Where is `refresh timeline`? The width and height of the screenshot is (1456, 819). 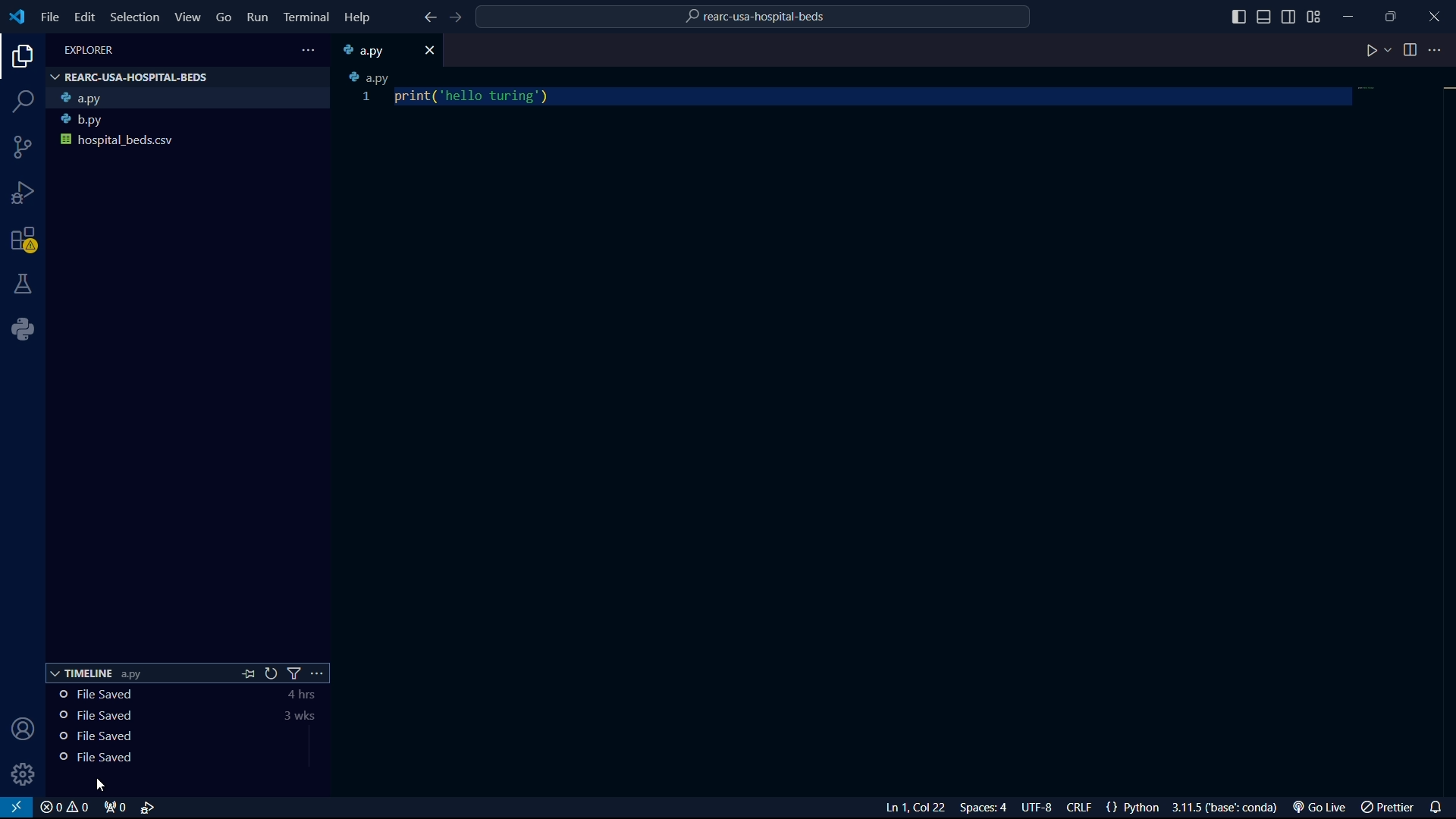
refresh timeline is located at coordinates (271, 673).